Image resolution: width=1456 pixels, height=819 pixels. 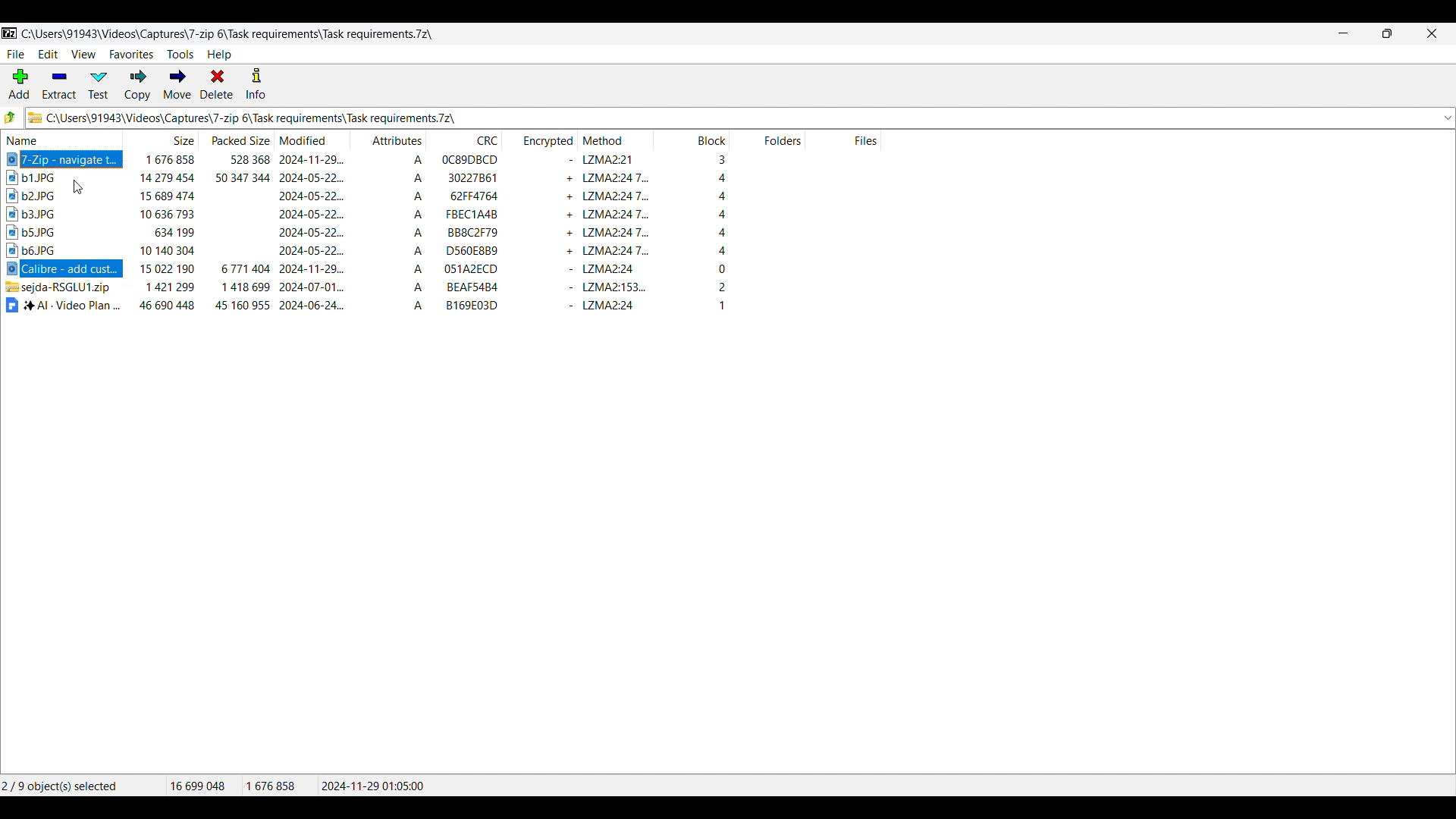 I want to click on encrypted flag, so click(x=547, y=236).